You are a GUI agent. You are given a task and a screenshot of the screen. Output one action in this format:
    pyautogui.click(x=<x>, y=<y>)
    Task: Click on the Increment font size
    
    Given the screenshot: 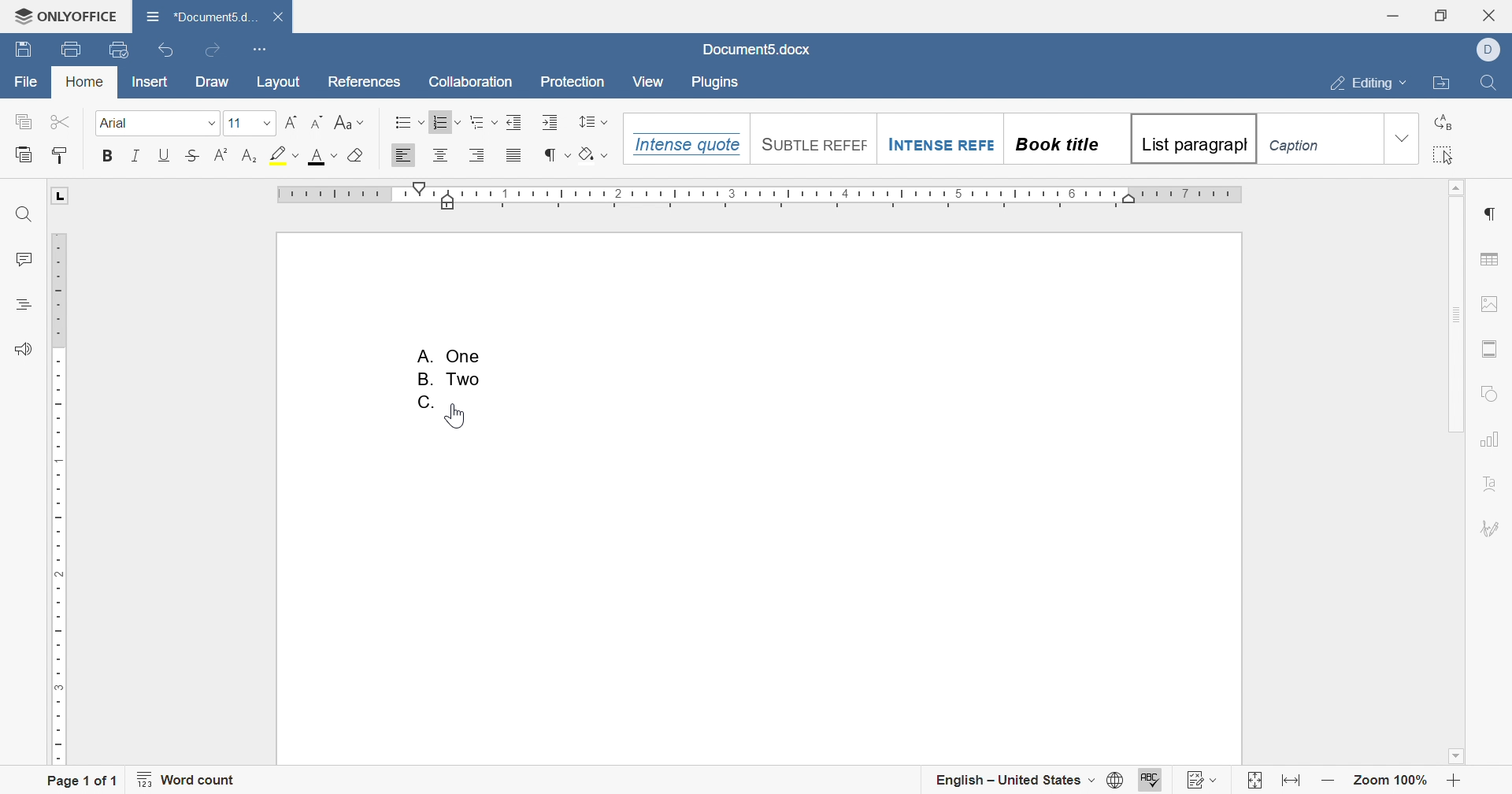 What is the action you would take?
    pyautogui.click(x=289, y=121)
    